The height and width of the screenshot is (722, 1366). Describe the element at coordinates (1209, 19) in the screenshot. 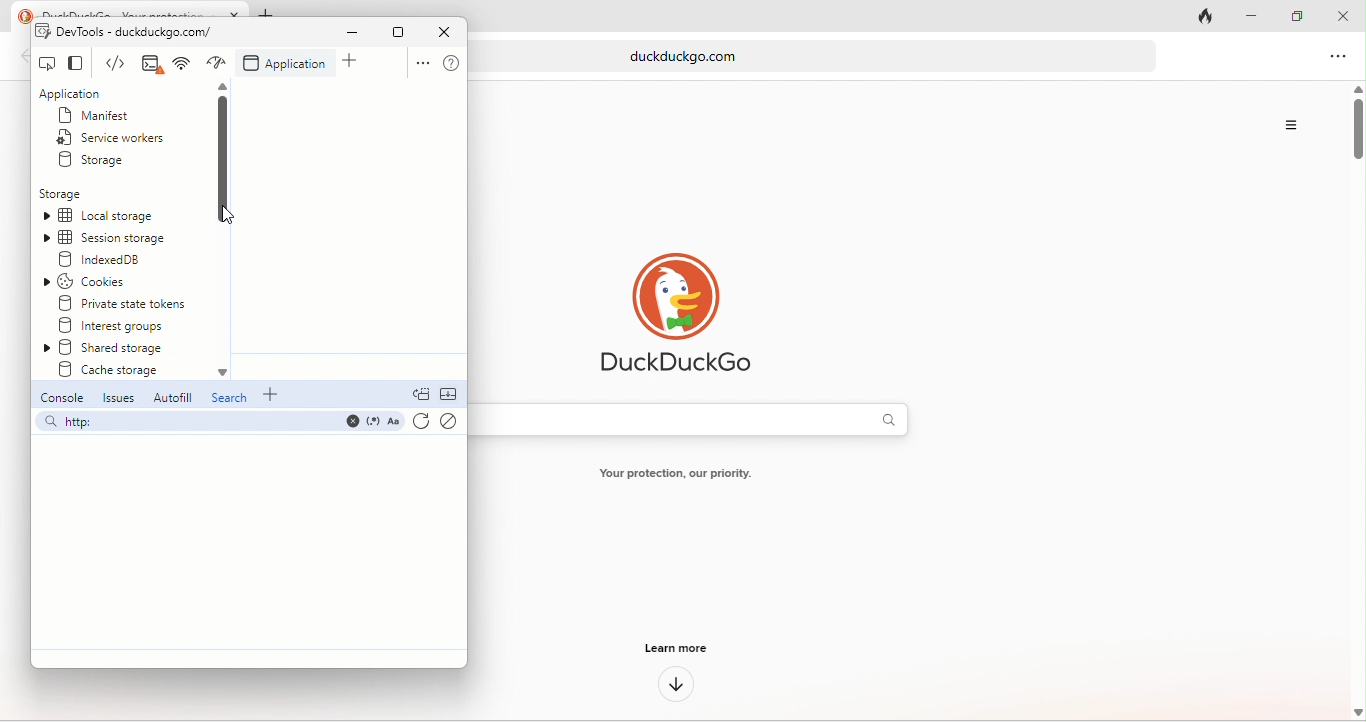

I see `track tab` at that location.